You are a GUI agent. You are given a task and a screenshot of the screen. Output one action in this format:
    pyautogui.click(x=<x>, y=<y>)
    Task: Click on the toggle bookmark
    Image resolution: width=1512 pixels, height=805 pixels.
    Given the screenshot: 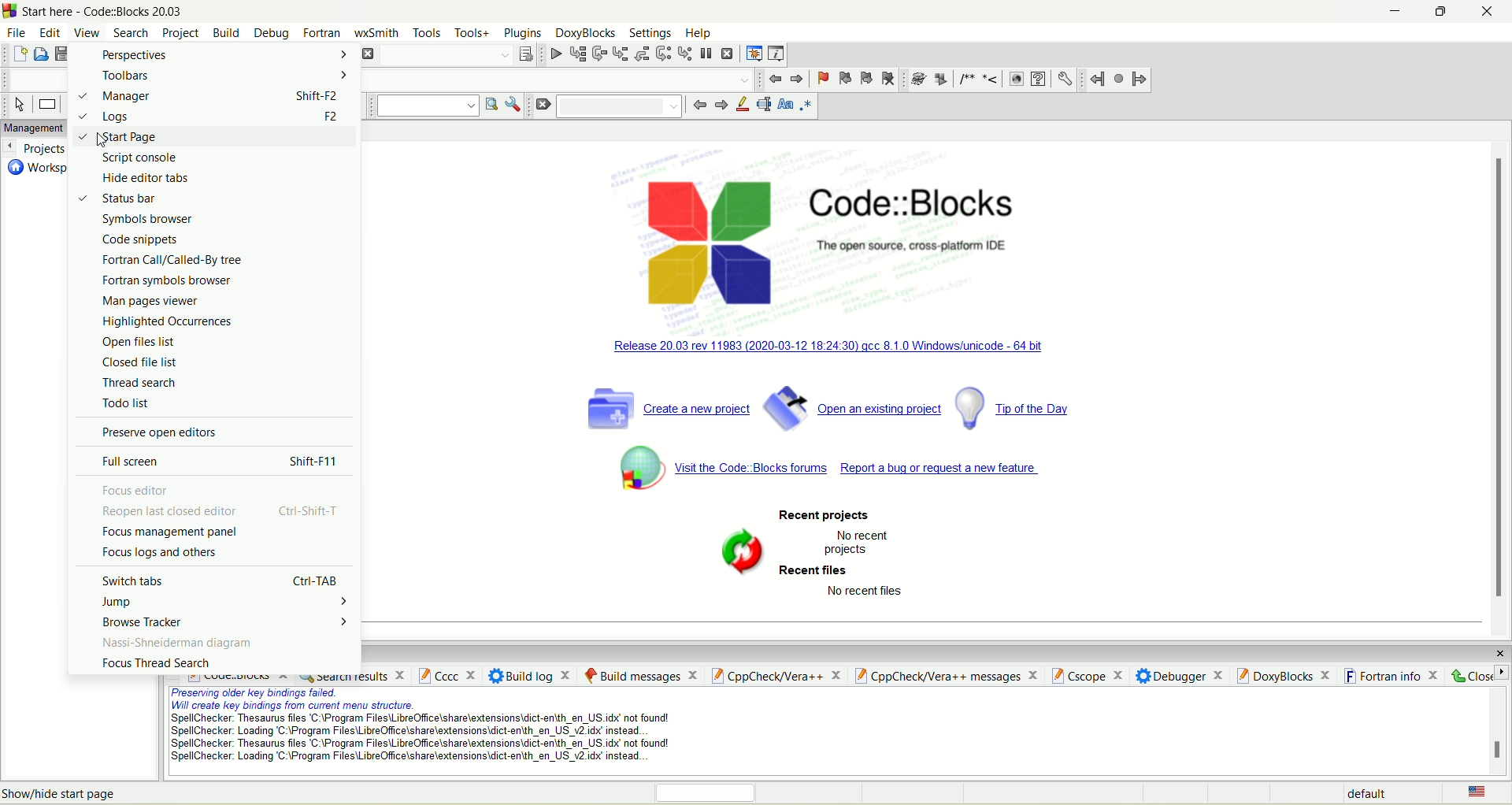 What is the action you would take?
    pyautogui.click(x=822, y=77)
    